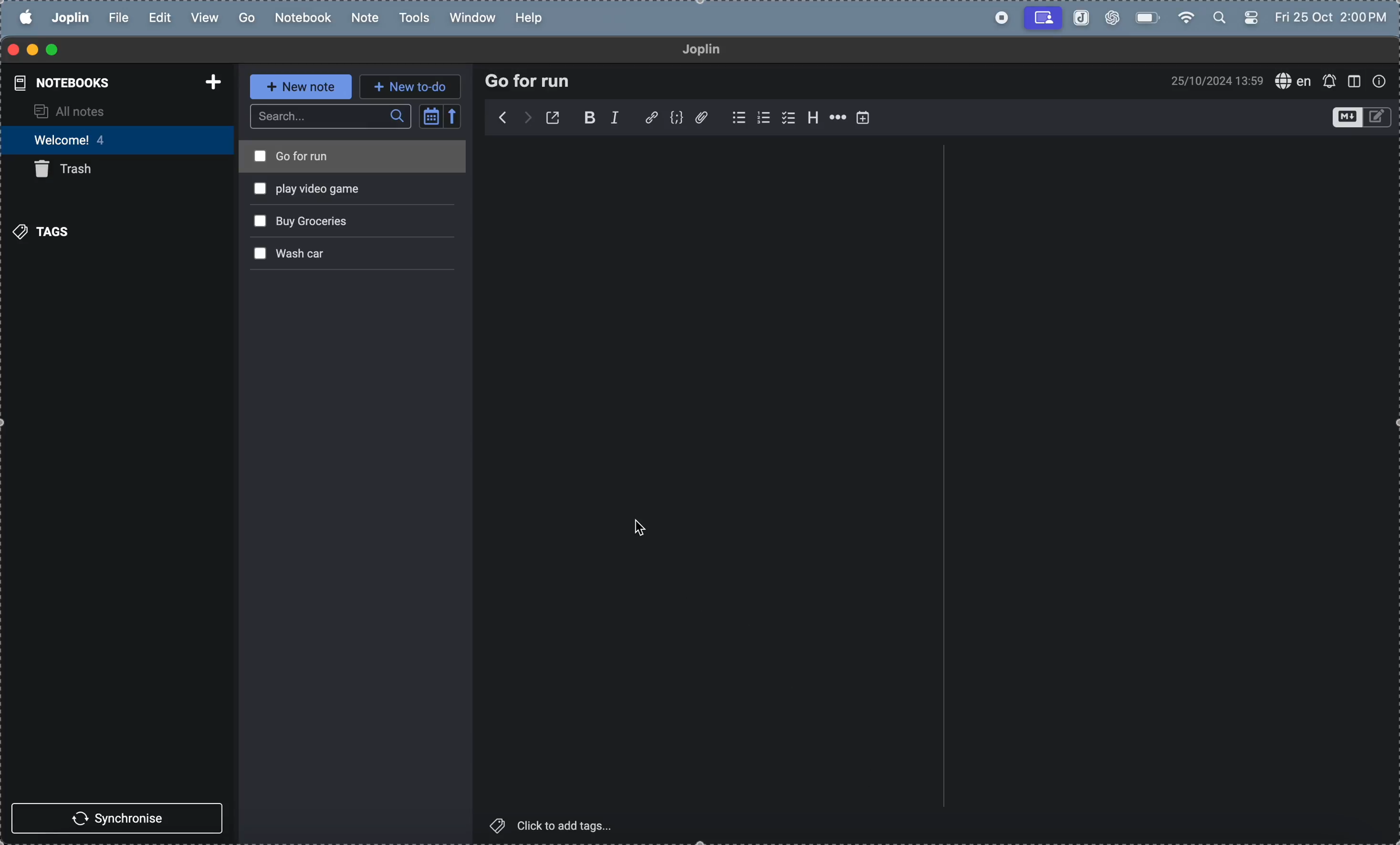  I want to click on Go, so click(247, 16).